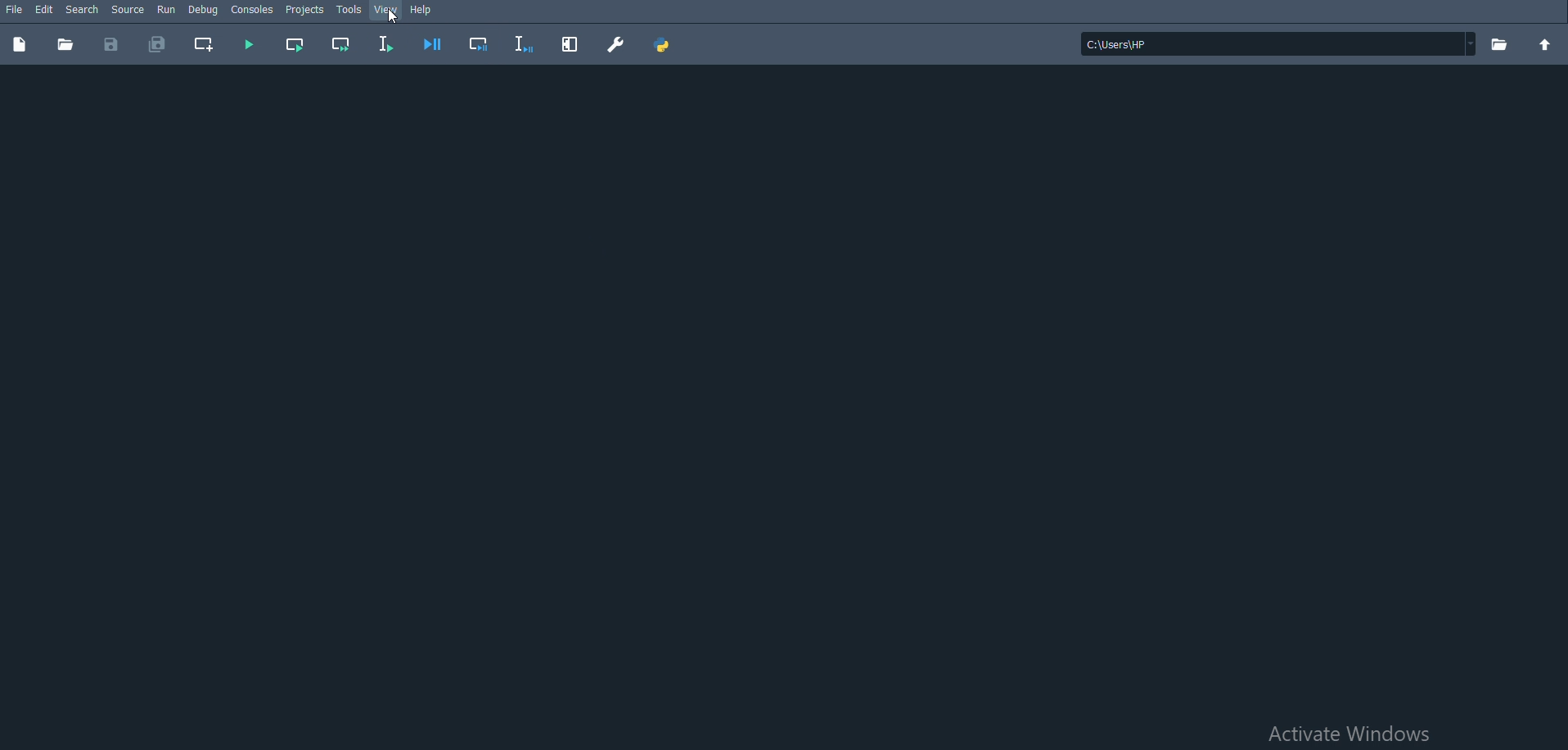 The width and height of the screenshot is (1568, 750). What do you see at coordinates (64, 44) in the screenshot?
I see `Open file` at bounding box center [64, 44].